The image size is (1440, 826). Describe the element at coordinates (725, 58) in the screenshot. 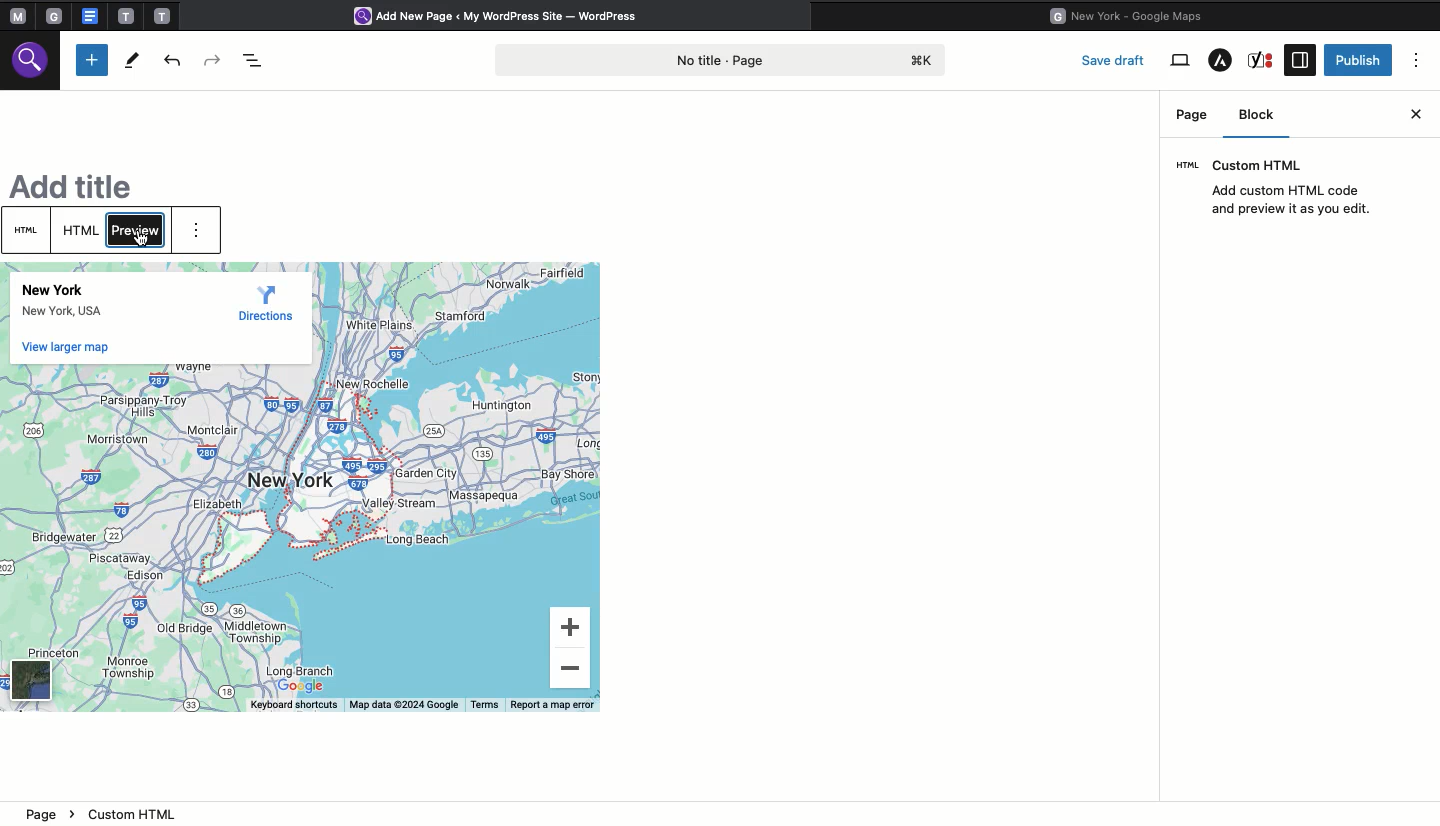

I see `Page` at that location.